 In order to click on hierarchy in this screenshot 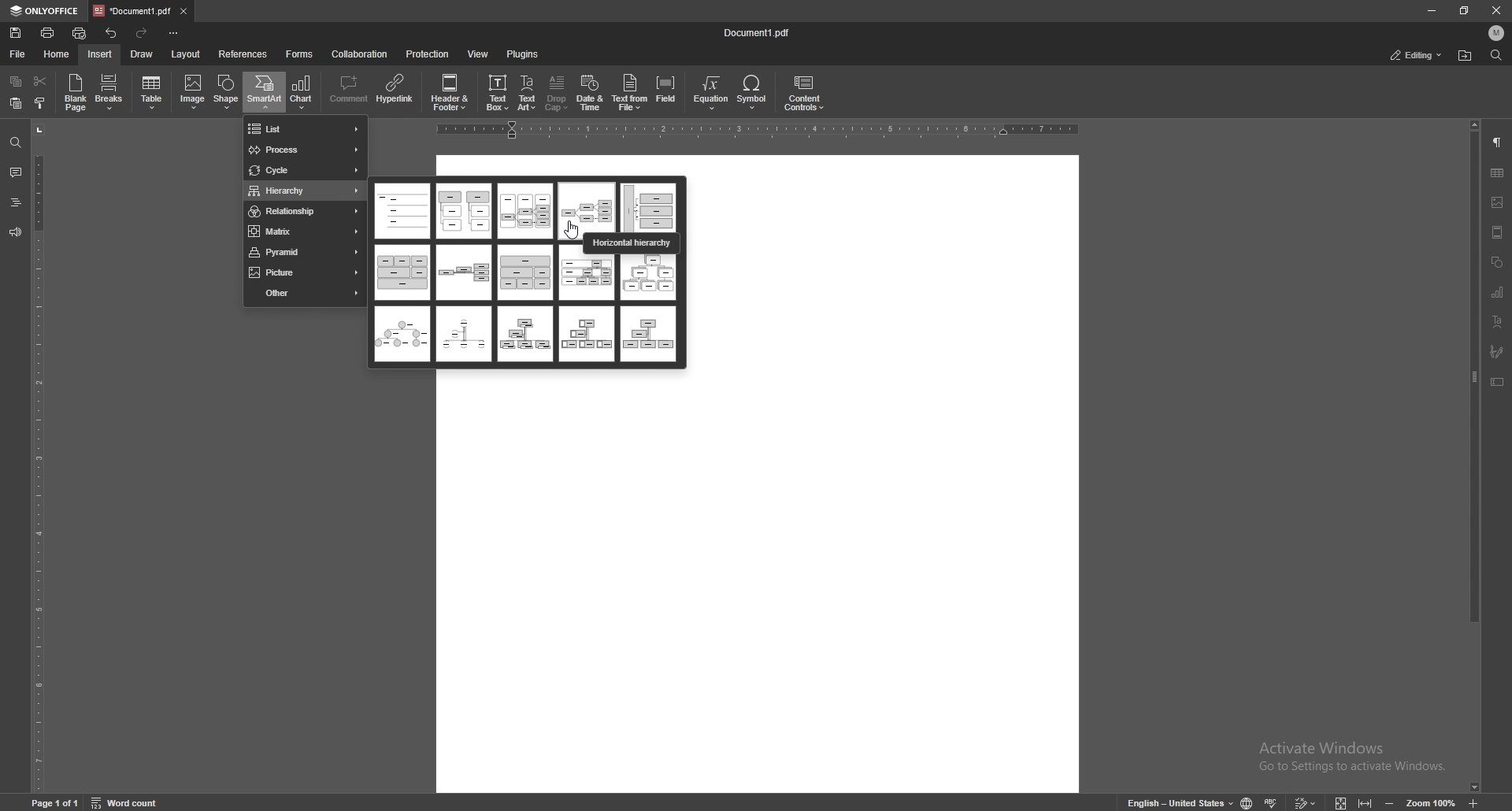, I will do `click(587, 277)`.